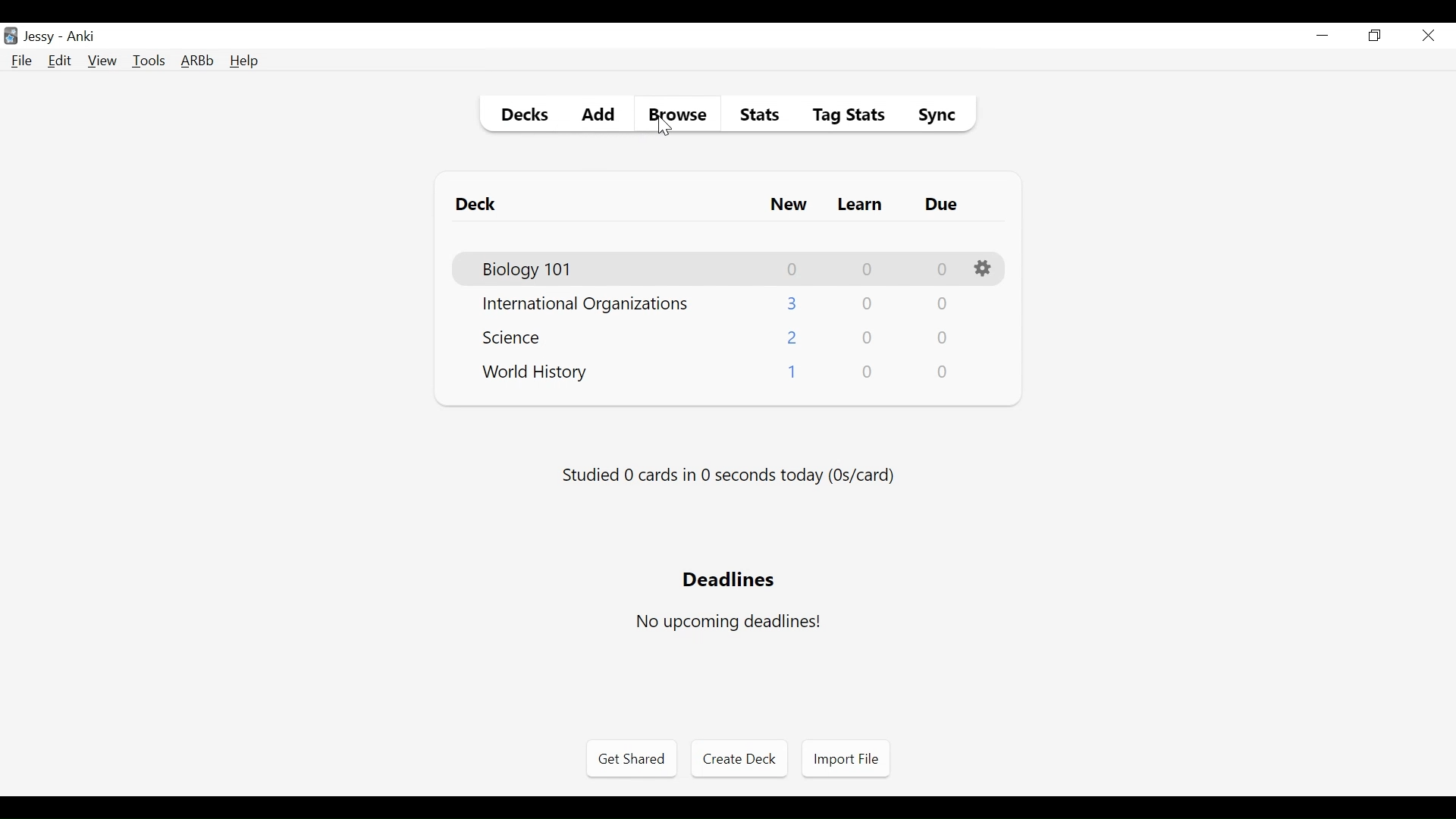 The image size is (1456, 819). Describe the element at coordinates (866, 304) in the screenshot. I see `Learn Card Count` at that location.